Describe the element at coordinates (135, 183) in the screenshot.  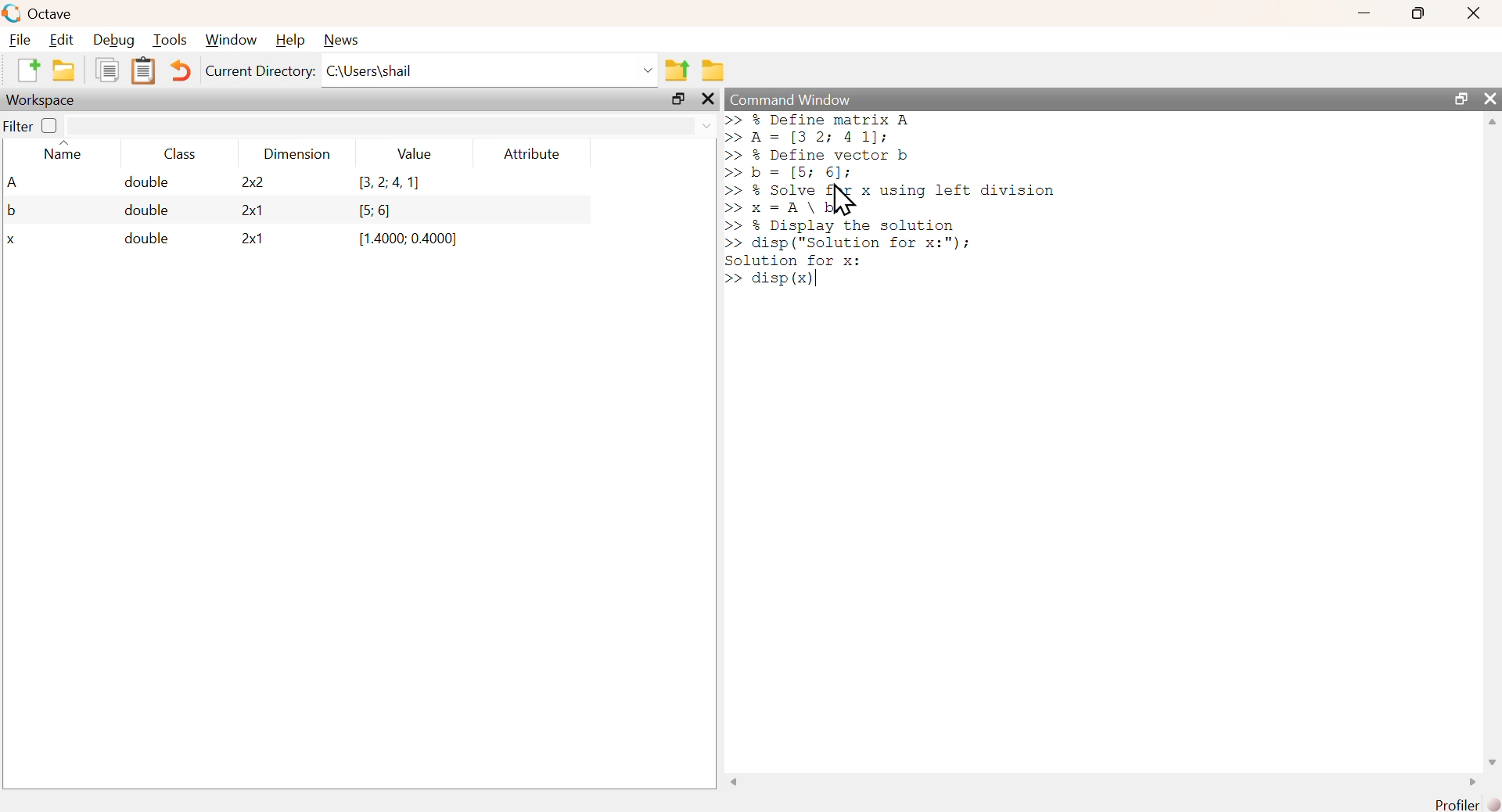
I see `double` at that location.